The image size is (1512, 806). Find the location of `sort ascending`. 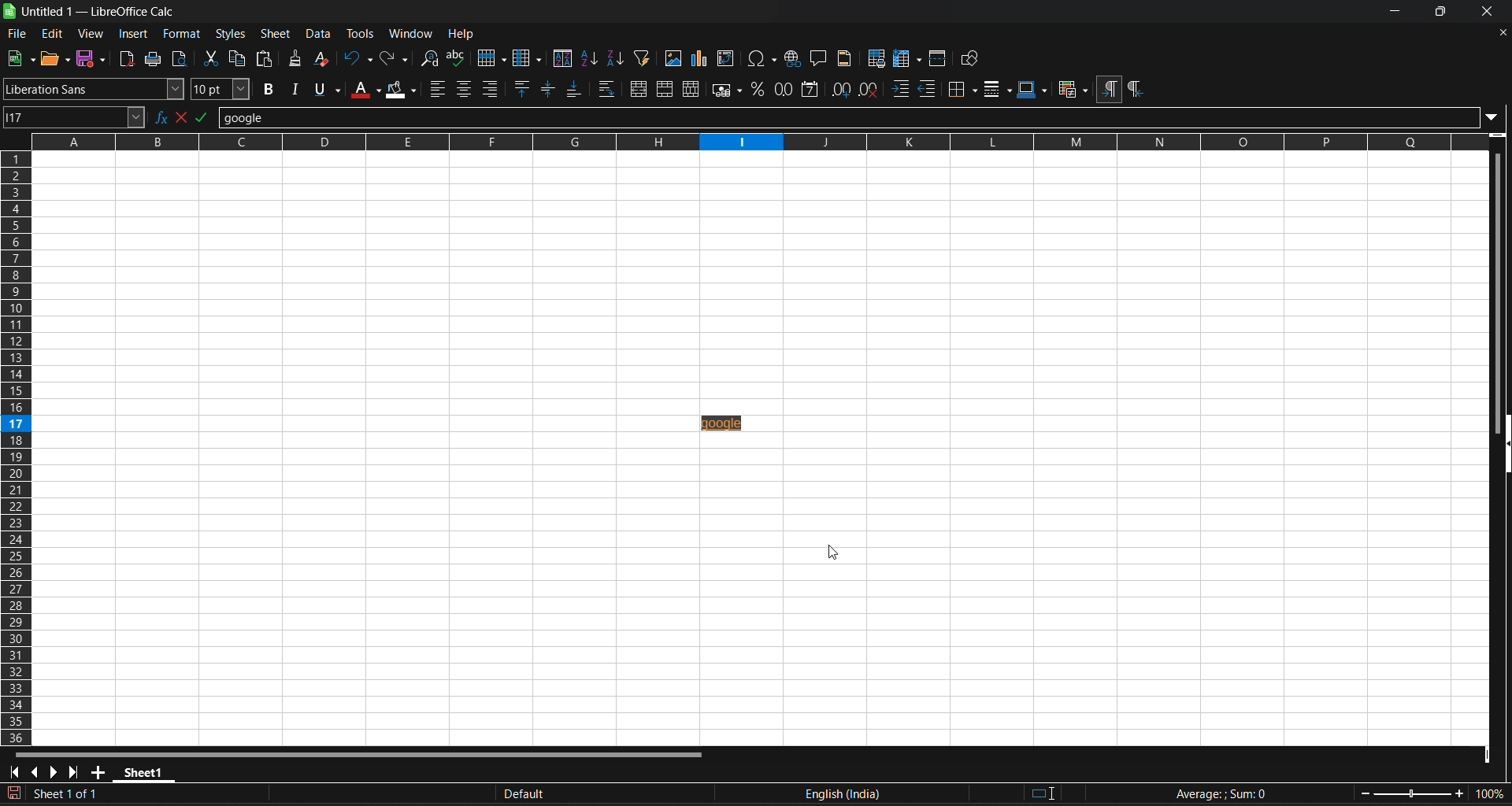

sort ascending is located at coordinates (591, 58).